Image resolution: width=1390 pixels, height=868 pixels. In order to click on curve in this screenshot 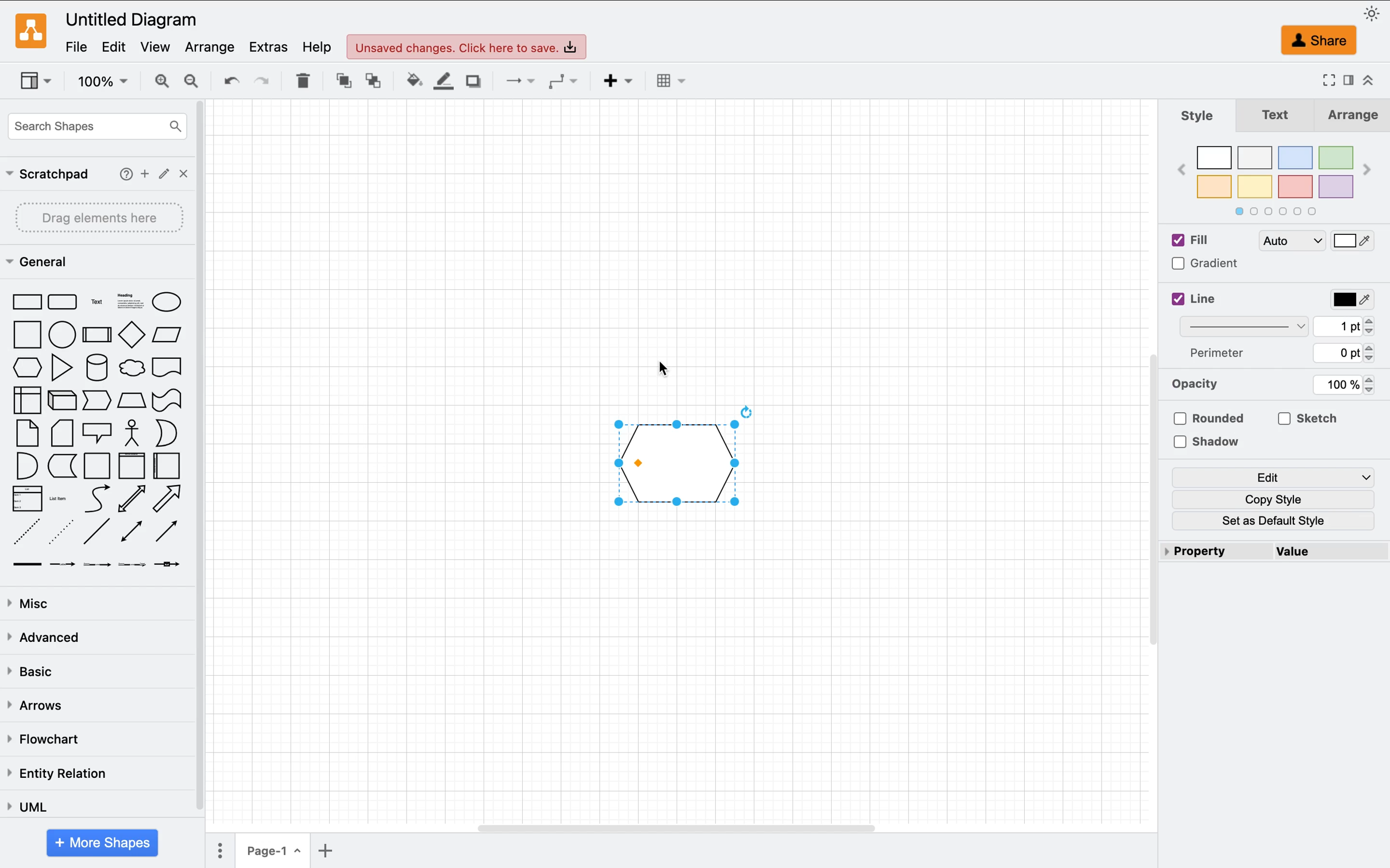, I will do `click(96, 499)`.